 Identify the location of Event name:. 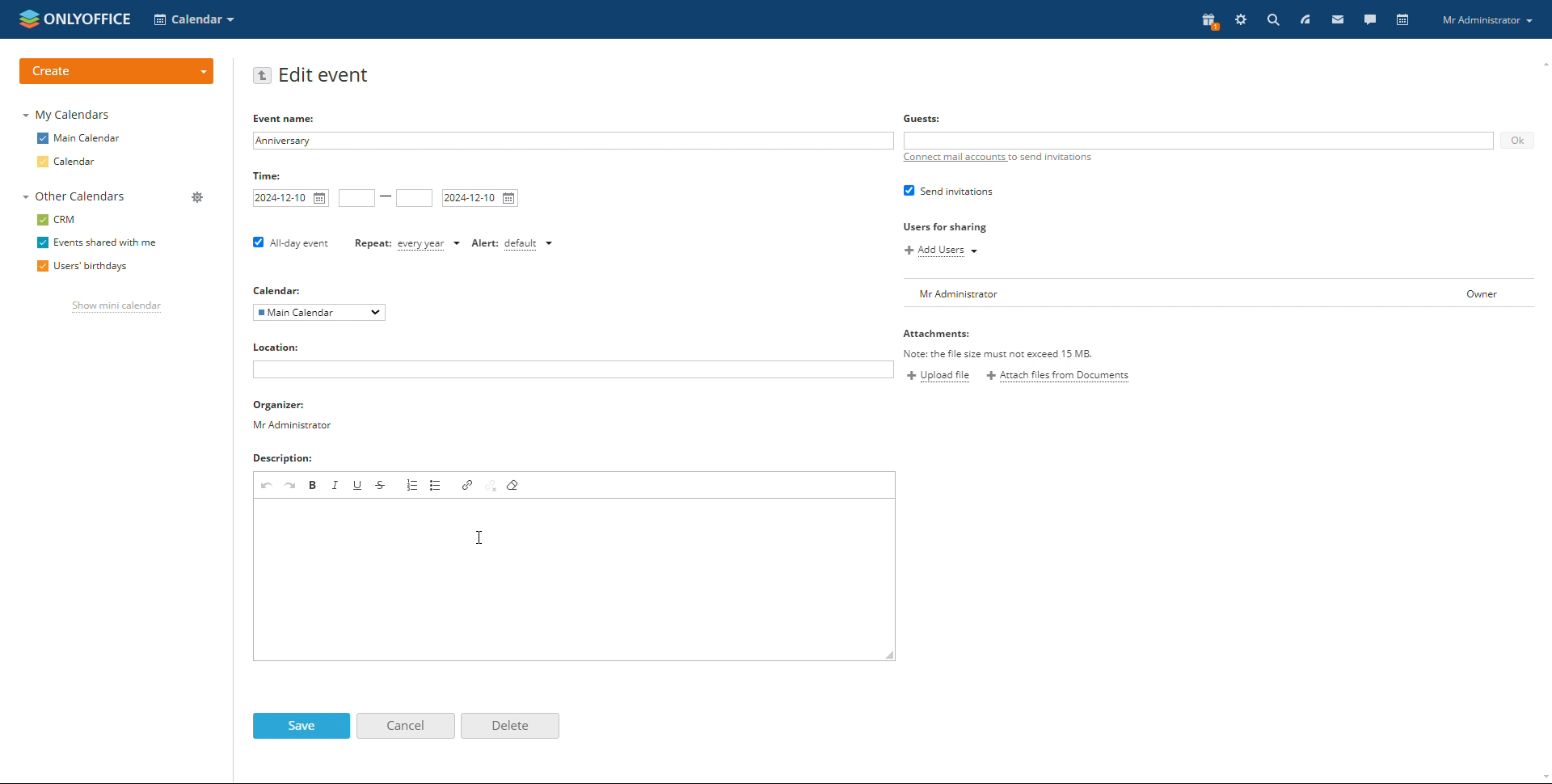
(297, 117).